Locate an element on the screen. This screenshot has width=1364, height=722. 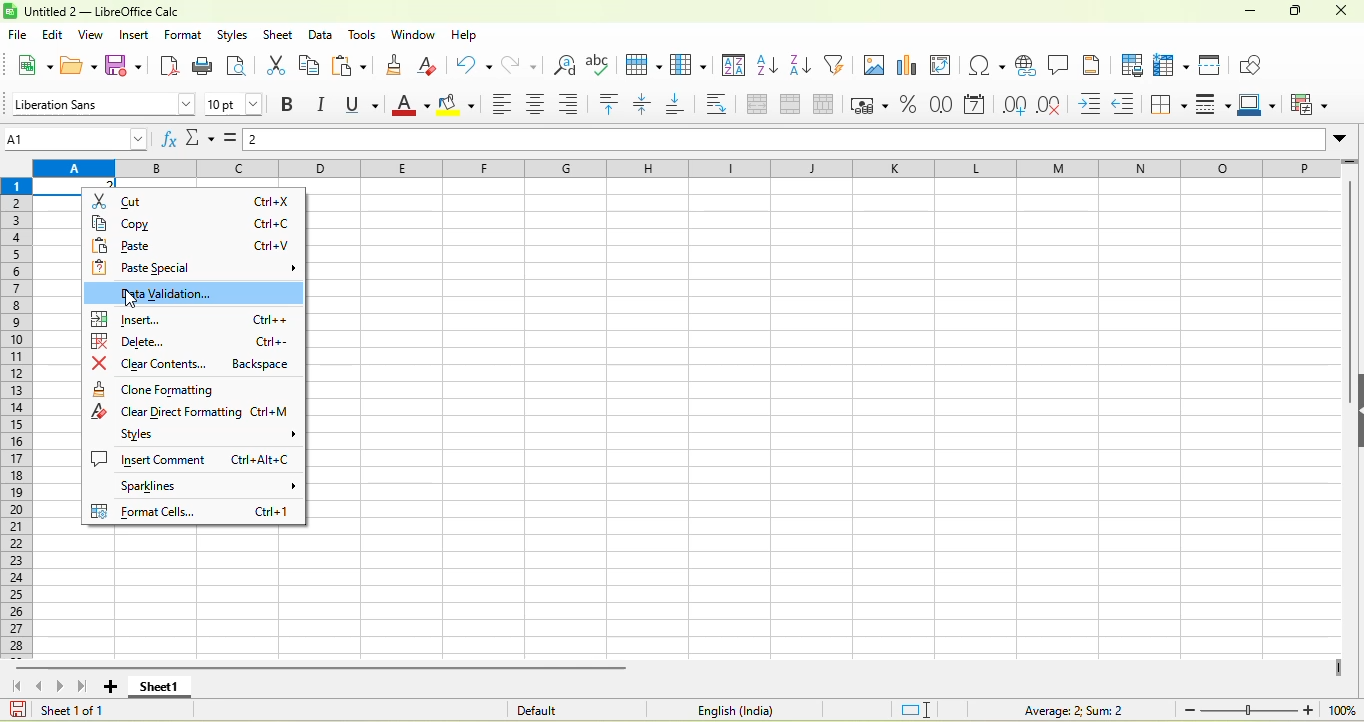
sheet is located at coordinates (278, 35).